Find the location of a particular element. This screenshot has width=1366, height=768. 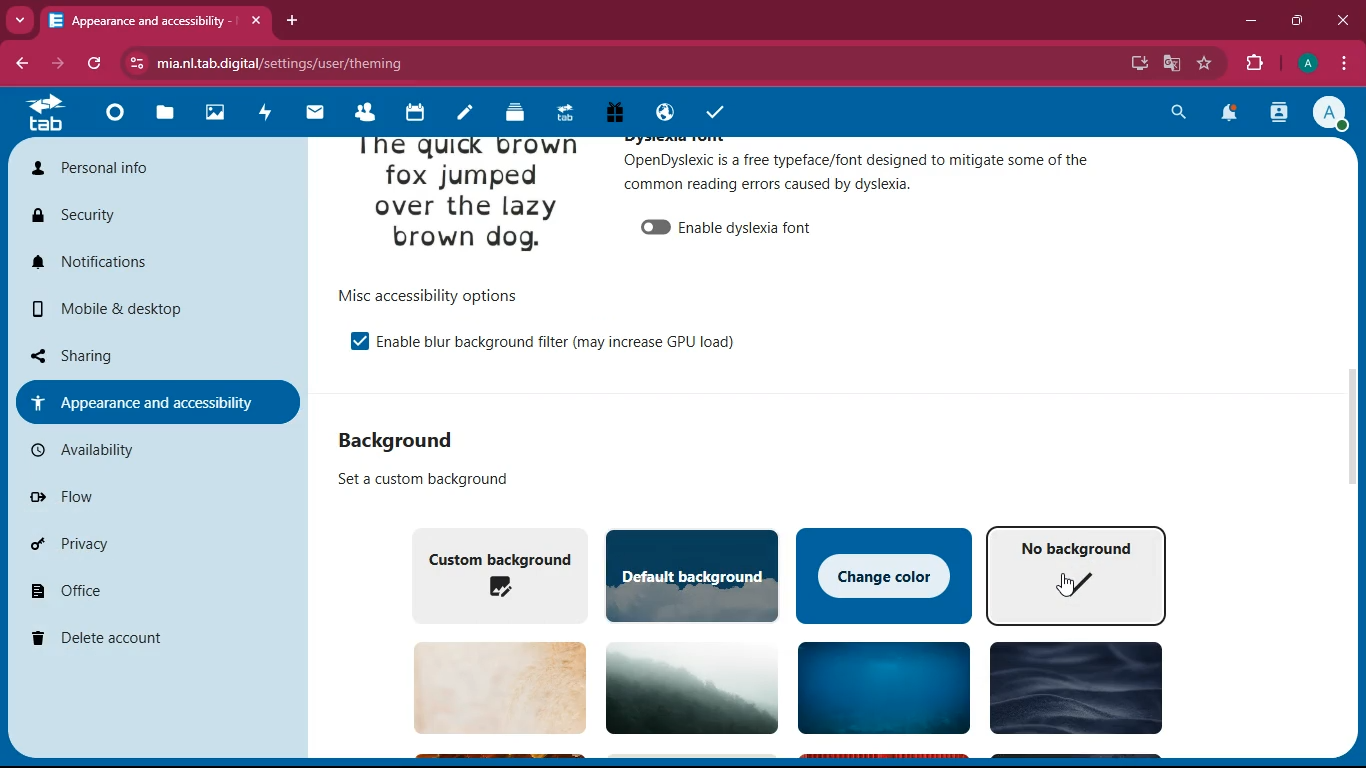

default background is located at coordinates (692, 575).